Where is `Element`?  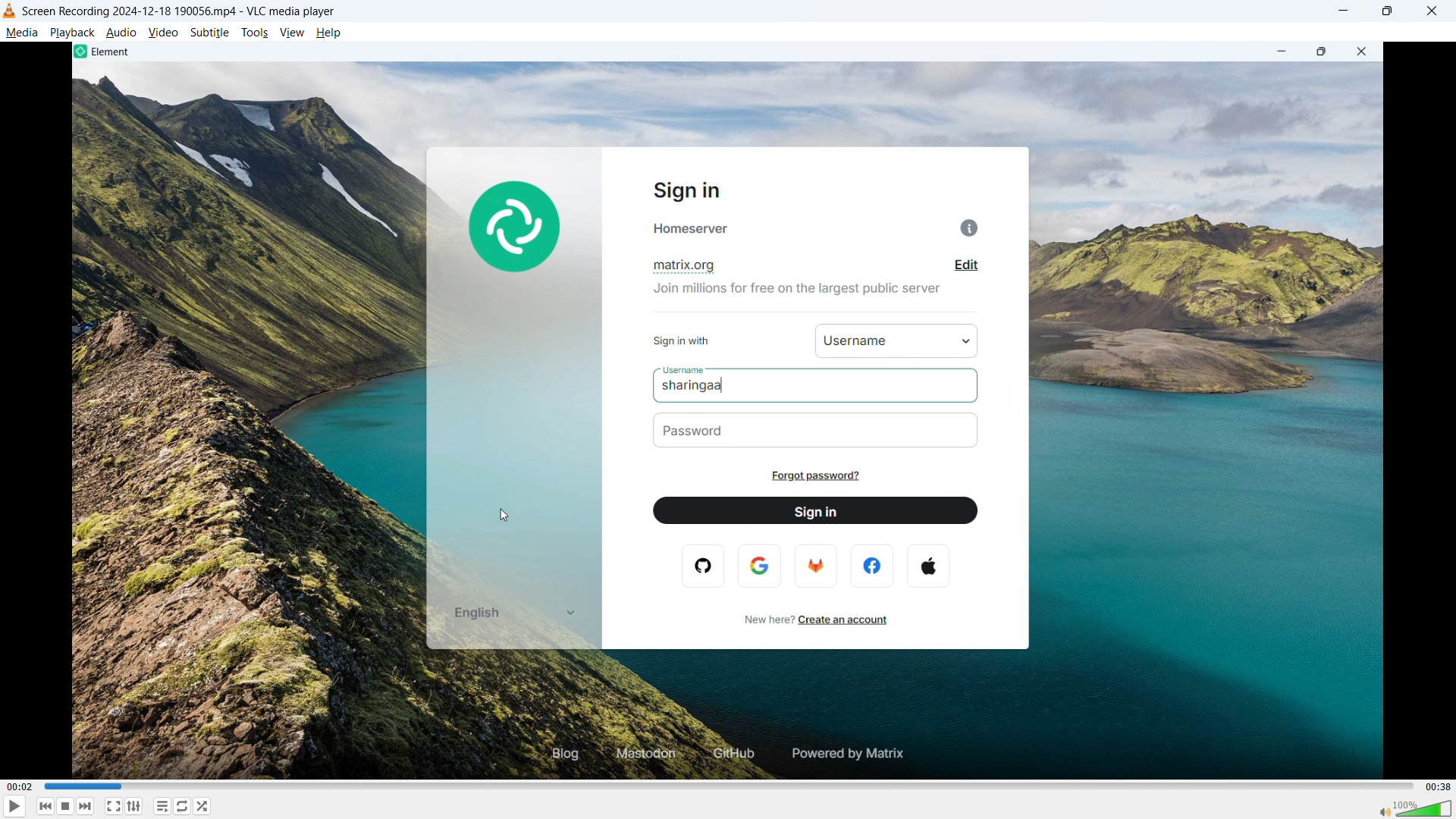
Element is located at coordinates (105, 52).